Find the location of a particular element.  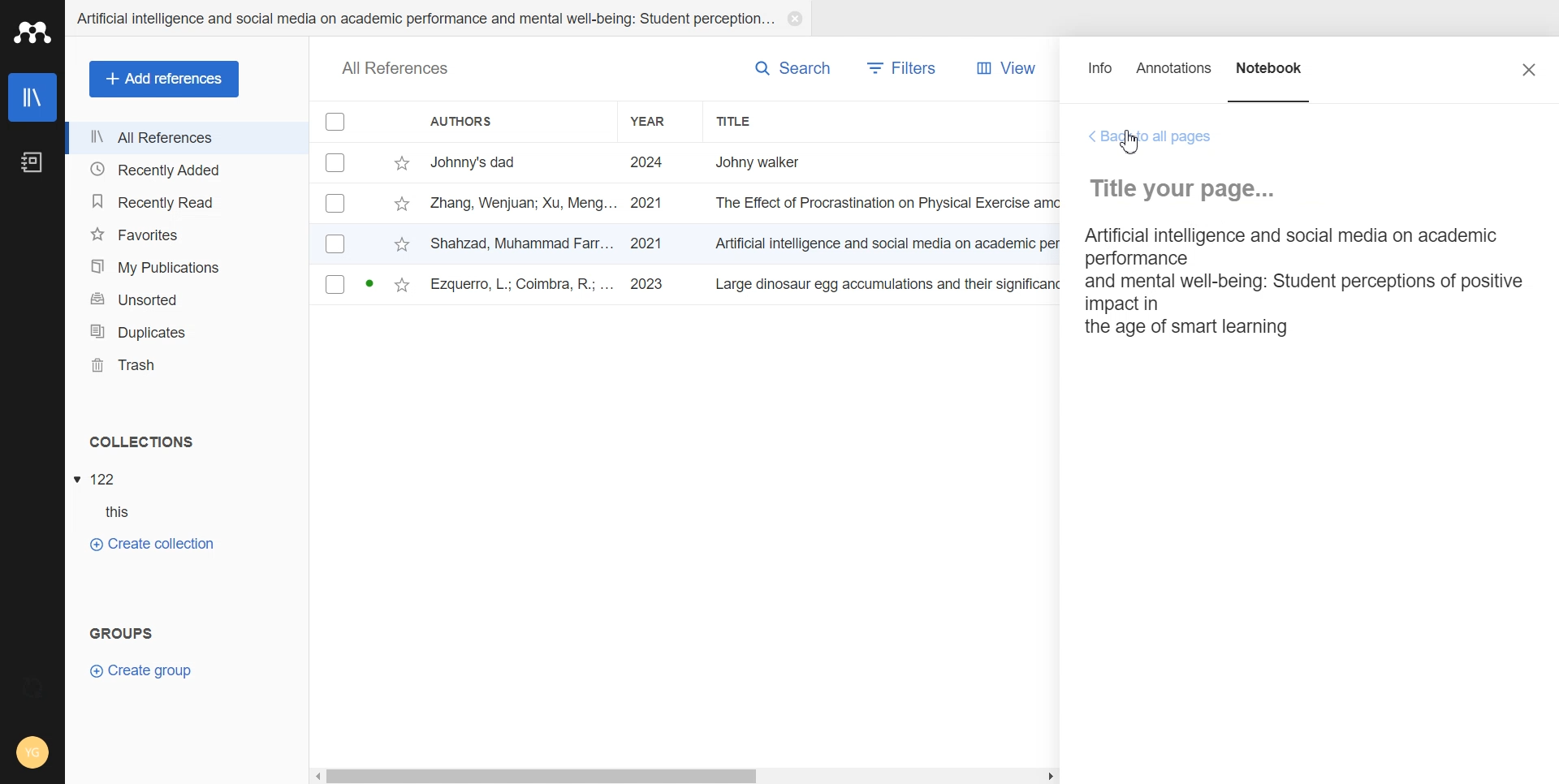

large dinosaur egg accumulations and their significance is located at coordinates (892, 287).